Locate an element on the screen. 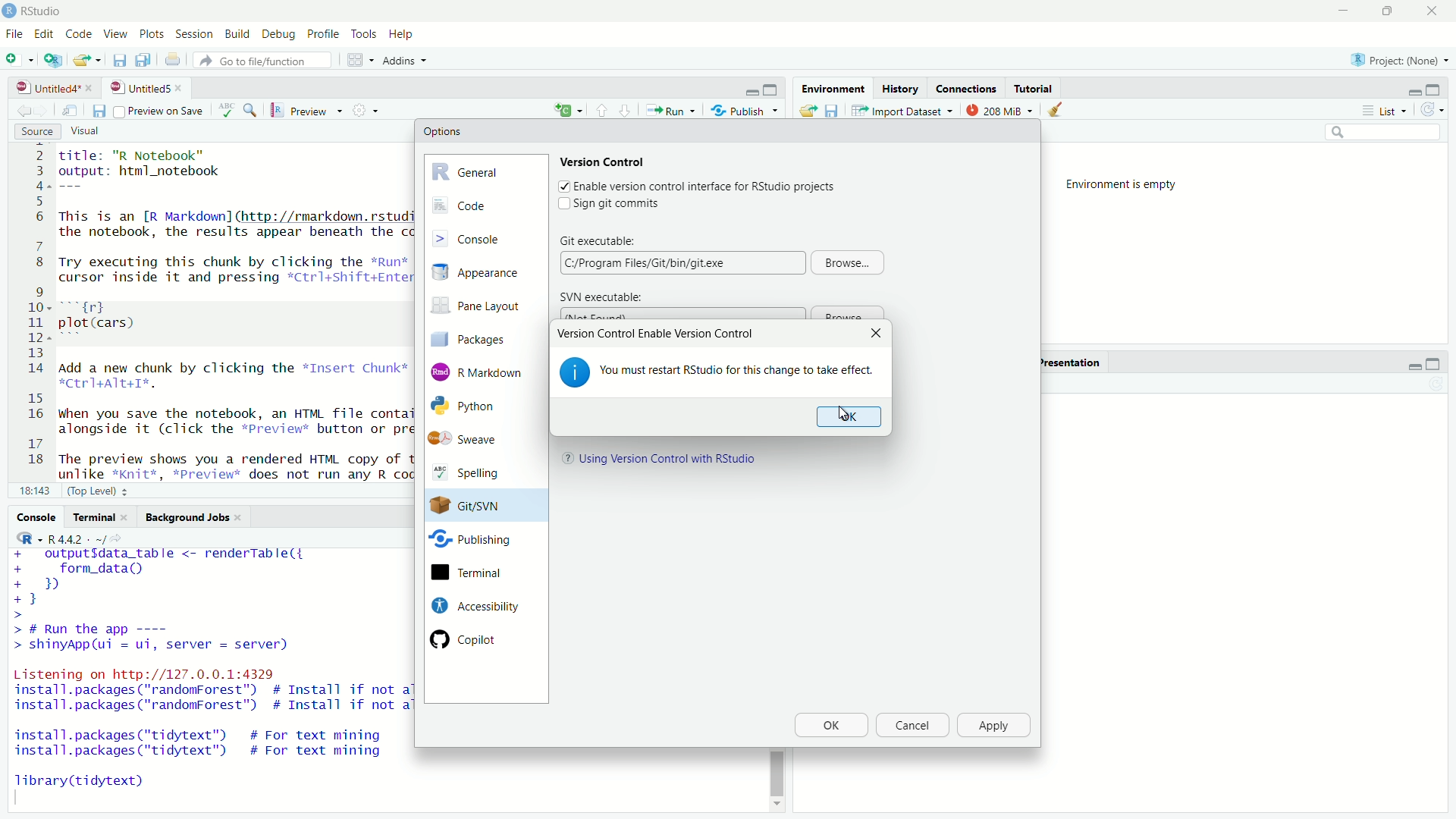 Image resolution: width=1456 pixels, height=819 pixels. Enable version control interface for RStudio projects is located at coordinates (705, 187).